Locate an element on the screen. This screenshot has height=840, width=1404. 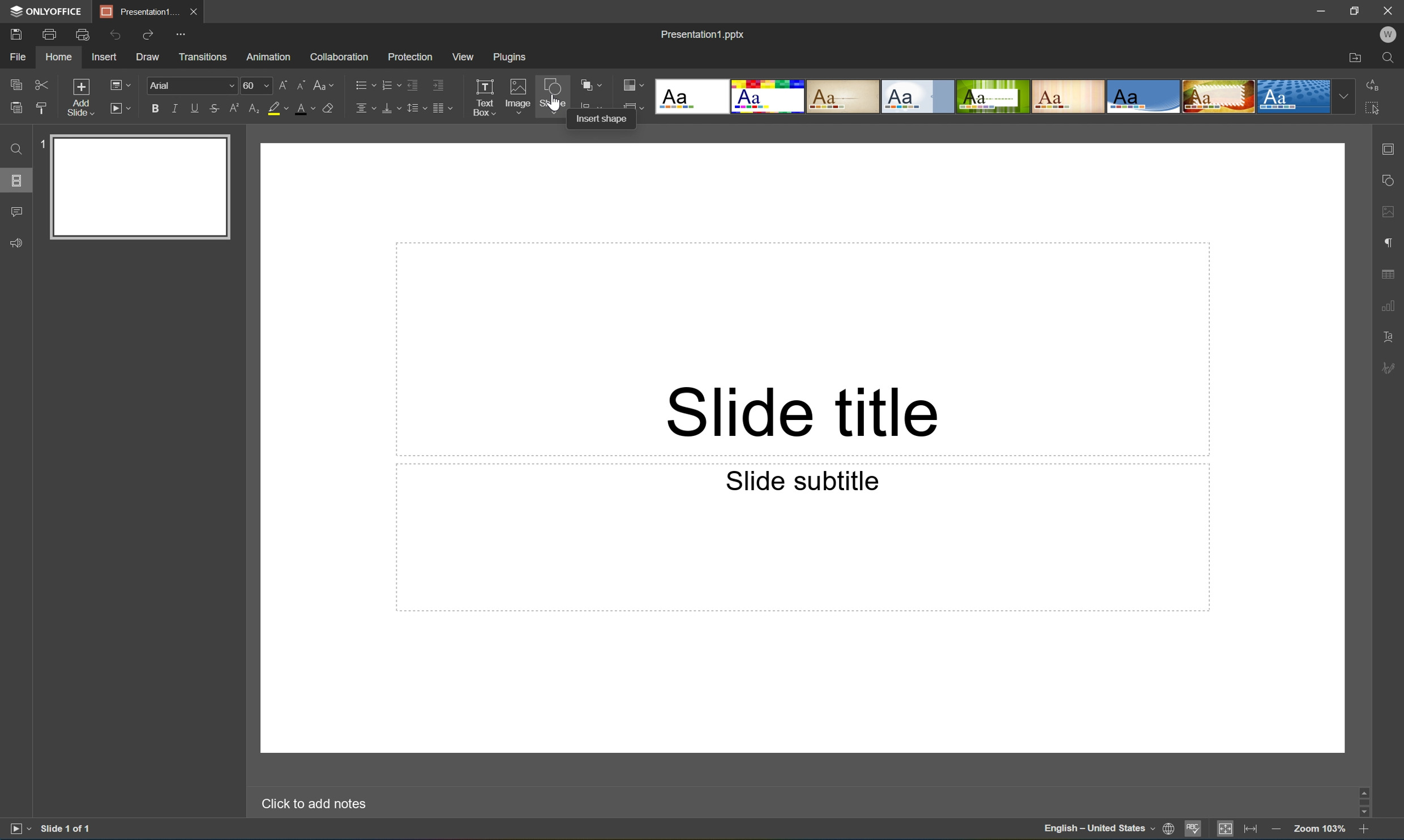
Undo is located at coordinates (116, 34).